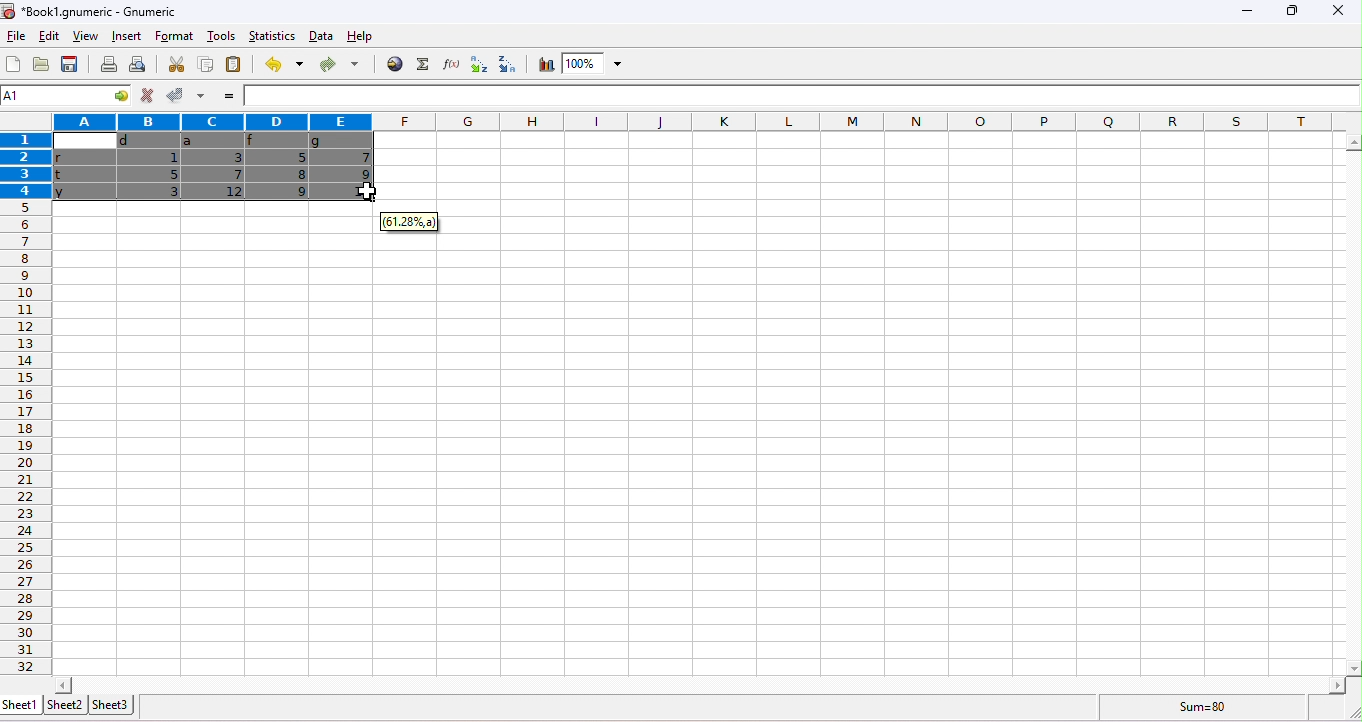 This screenshot has width=1362, height=722. I want to click on file, so click(14, 36).